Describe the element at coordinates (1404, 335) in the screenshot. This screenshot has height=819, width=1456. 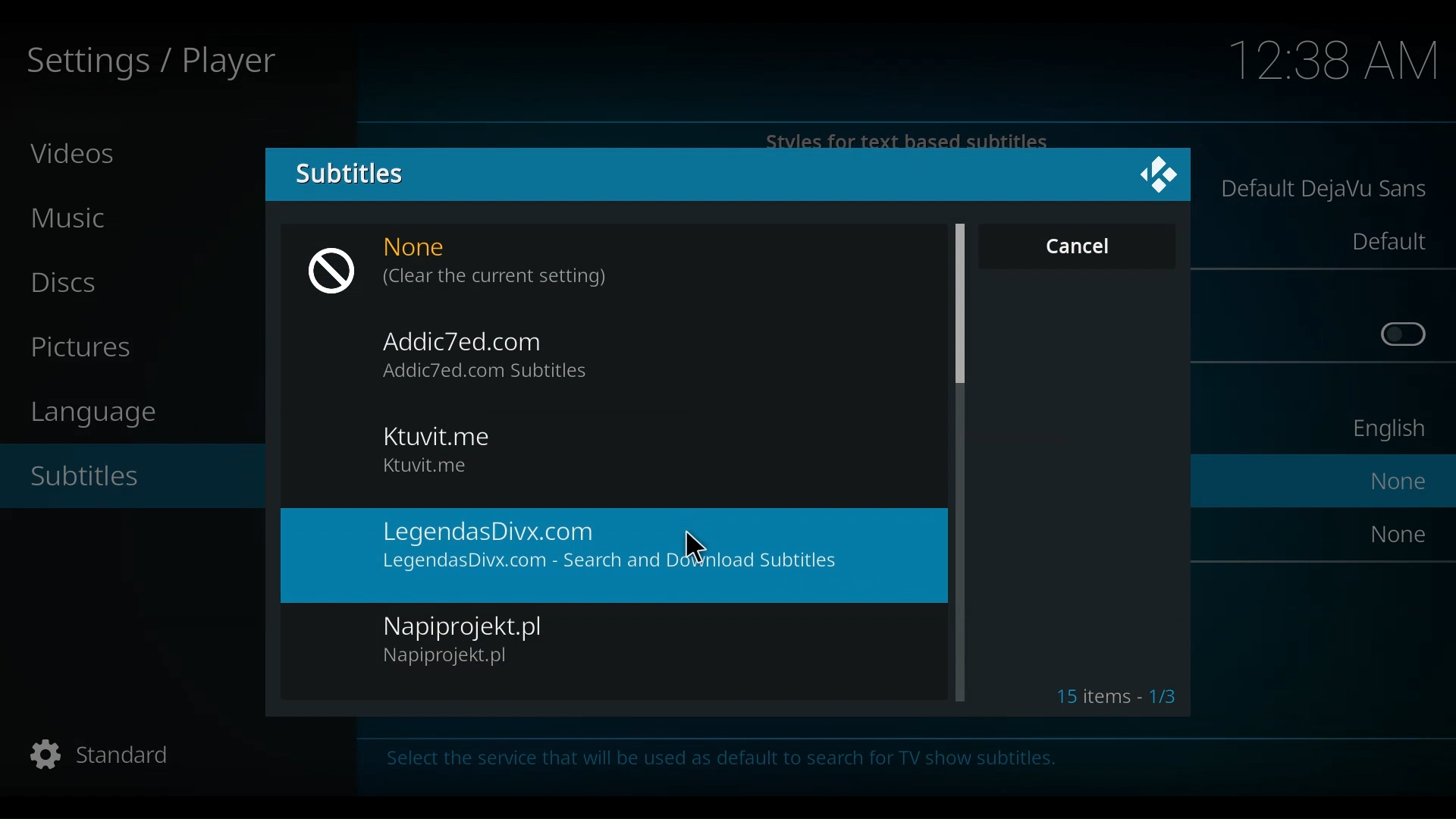
I see `Toggle on/off` at that location.